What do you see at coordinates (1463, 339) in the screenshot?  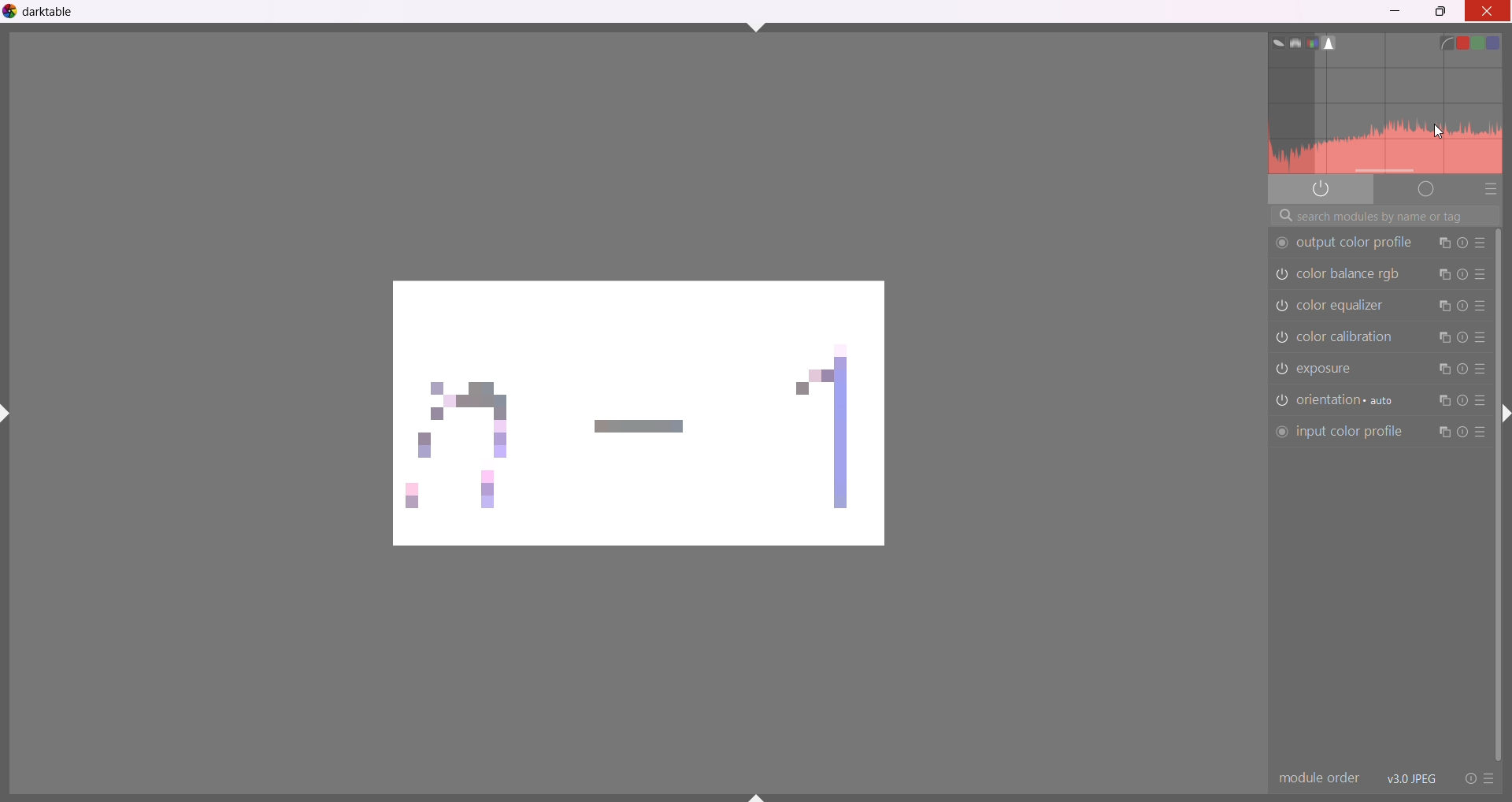 I see `reset parameters` at bounding box center [1463, 339].